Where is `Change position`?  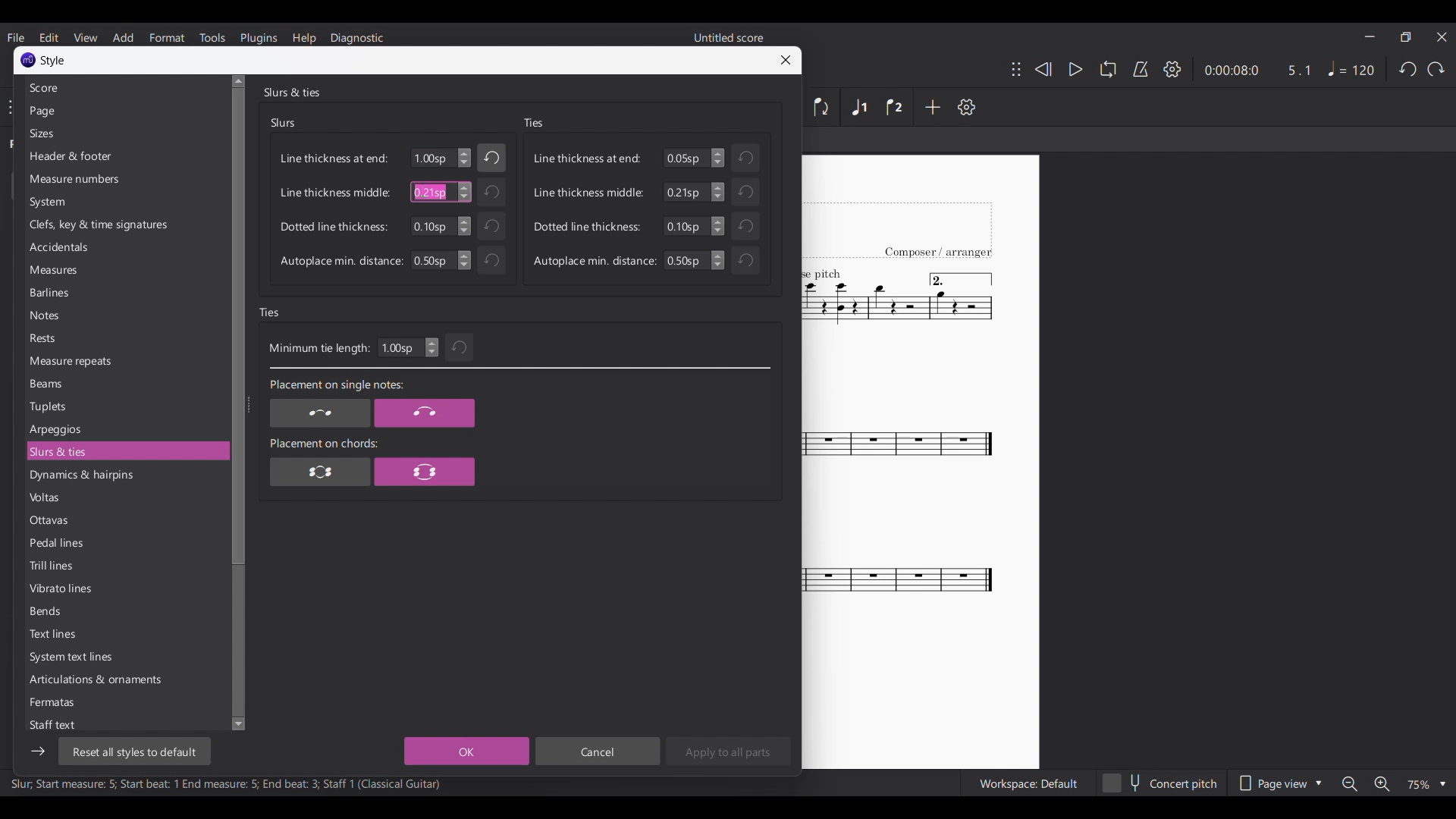
Change position is located at coordinates (1016, 69).